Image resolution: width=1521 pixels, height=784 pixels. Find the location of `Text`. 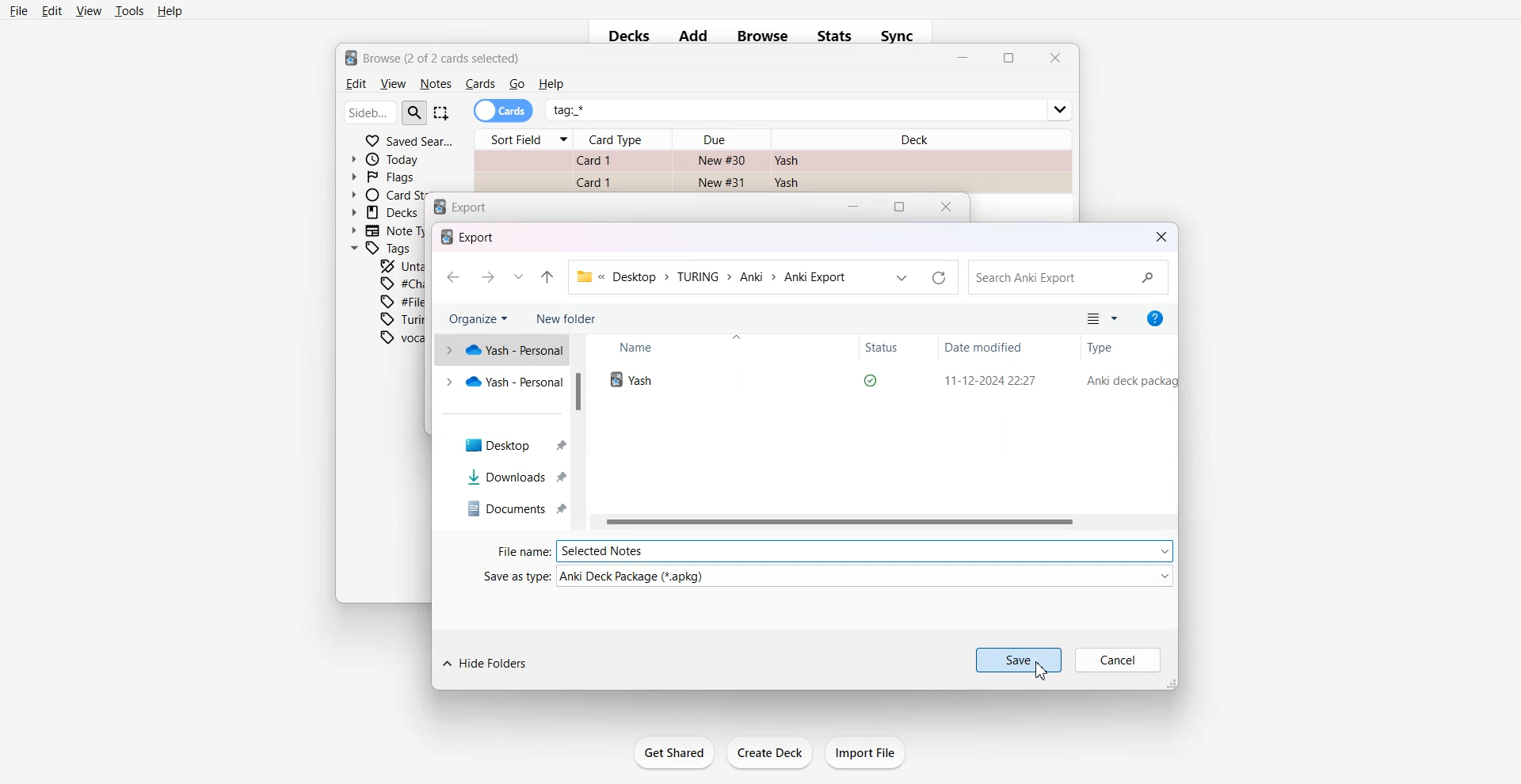

Text is located at coordinates (466, 237).